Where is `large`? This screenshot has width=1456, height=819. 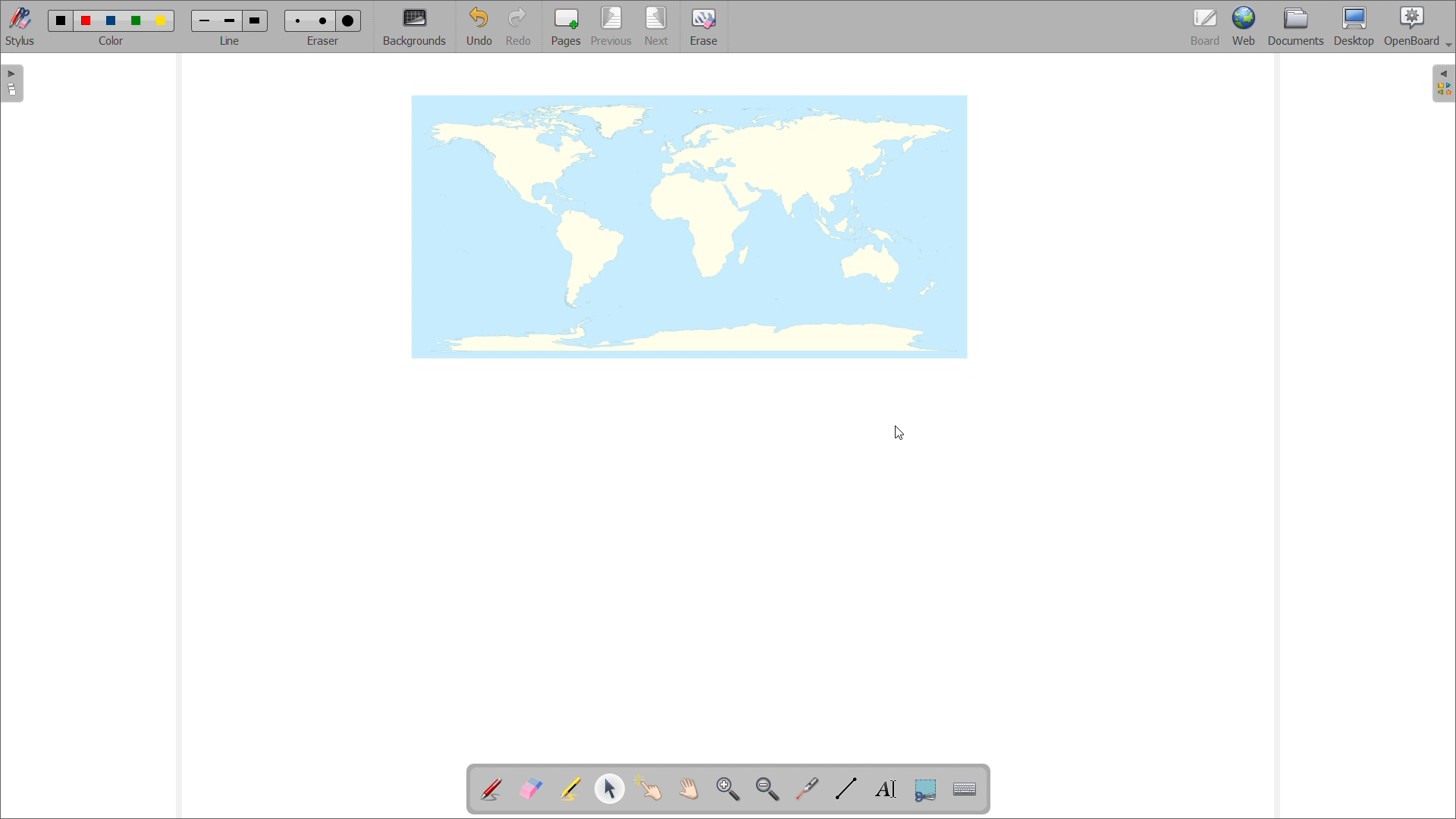 large is located at coordinates (256, 20).